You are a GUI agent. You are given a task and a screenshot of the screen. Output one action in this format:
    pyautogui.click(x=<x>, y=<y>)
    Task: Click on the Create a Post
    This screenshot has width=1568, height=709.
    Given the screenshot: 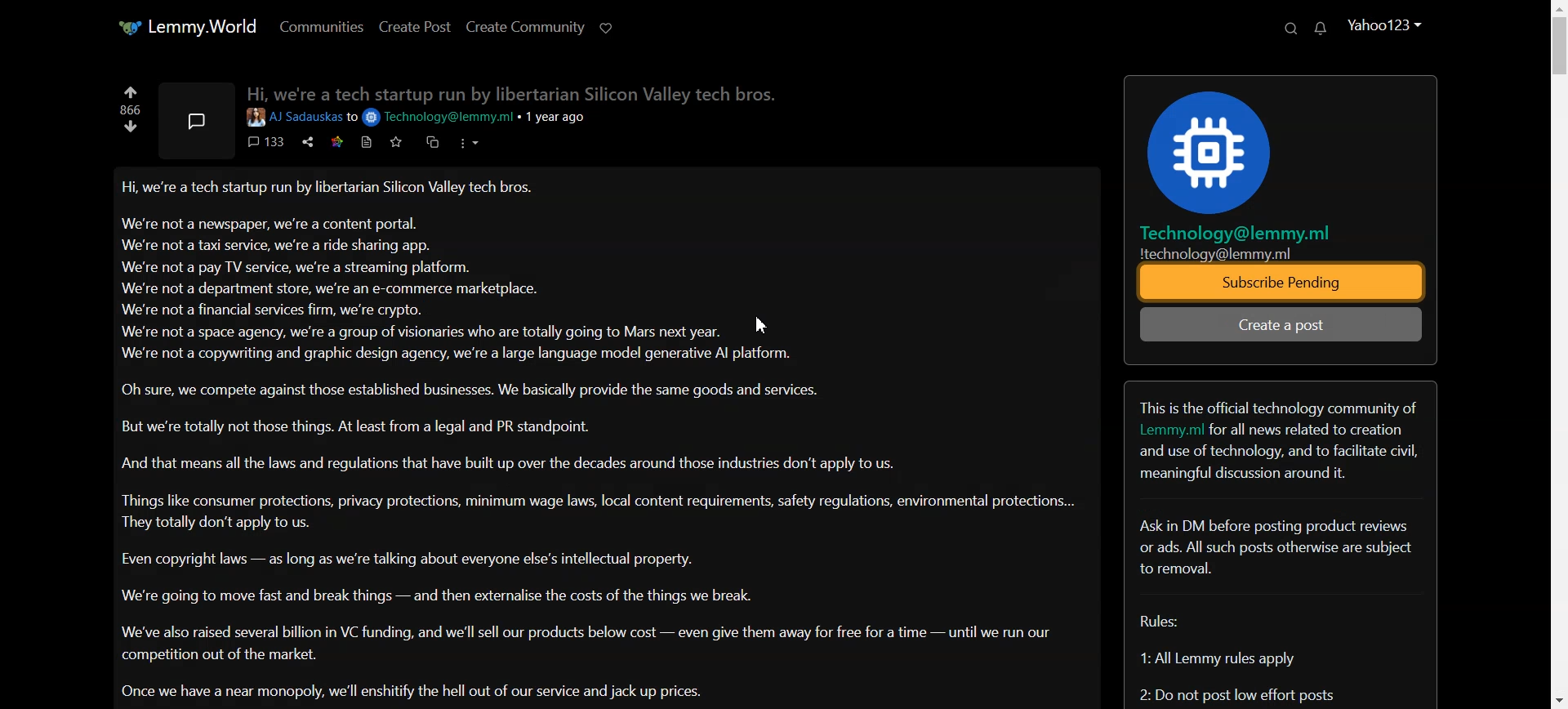 What is the action you would take?
    pyautogui.click(x=1280, y=326)
    